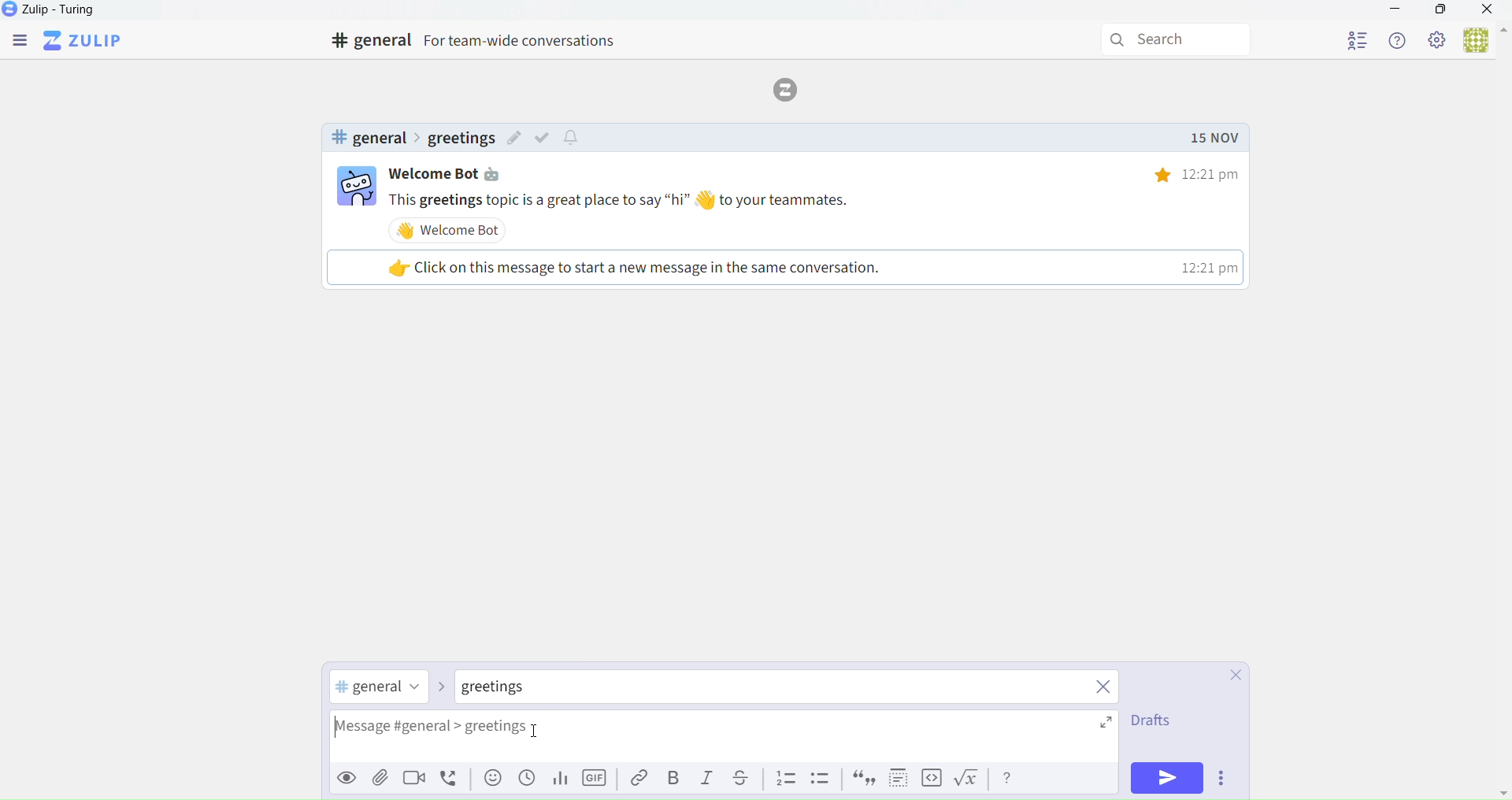 This screenshot has width=1512, height=800. What do you see at coordinates (86, 41) in the screenshot?
I see `Zulip logo` at bounding box center [86, 41].